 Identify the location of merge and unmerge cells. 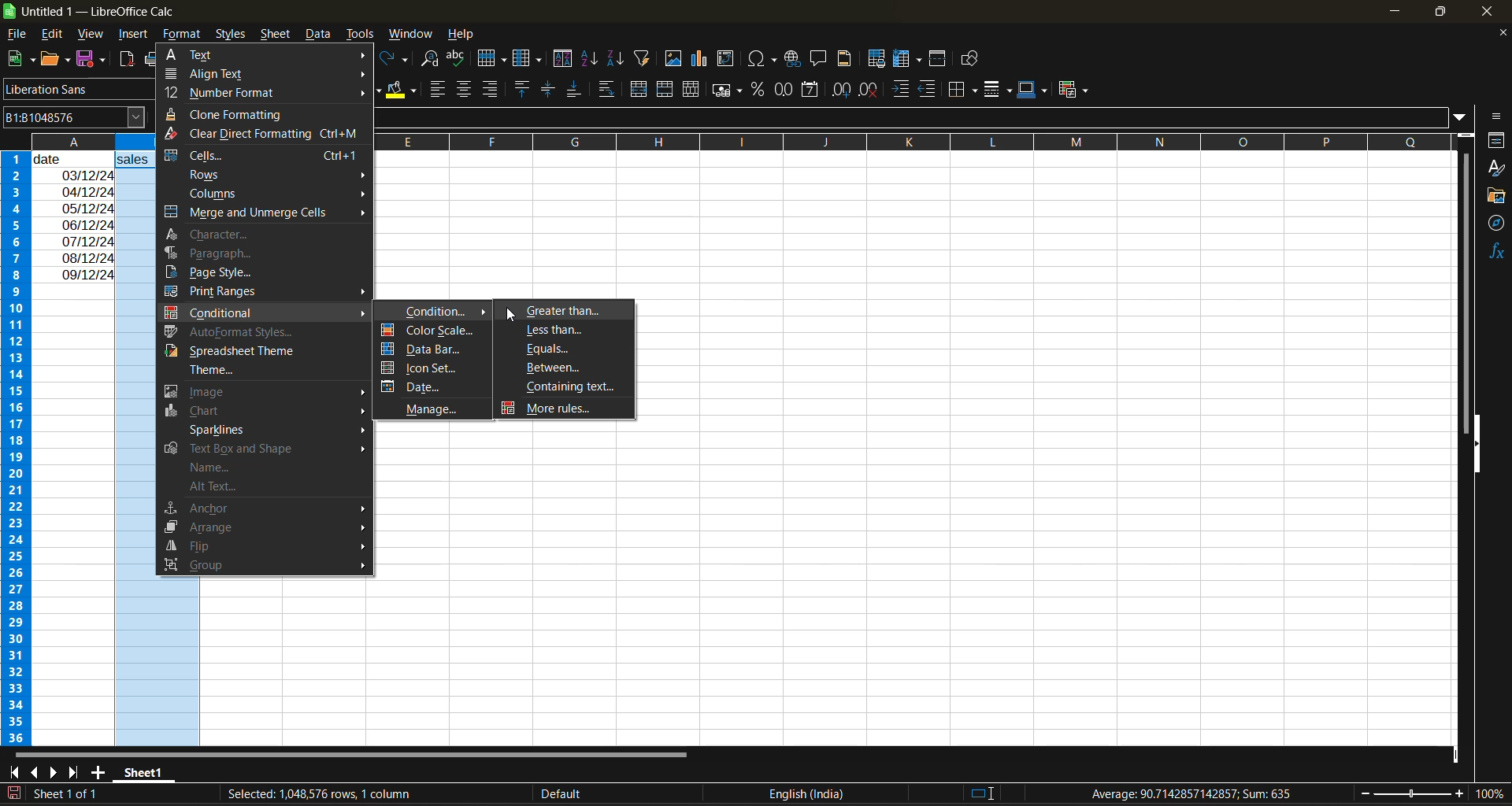
(263, 216).